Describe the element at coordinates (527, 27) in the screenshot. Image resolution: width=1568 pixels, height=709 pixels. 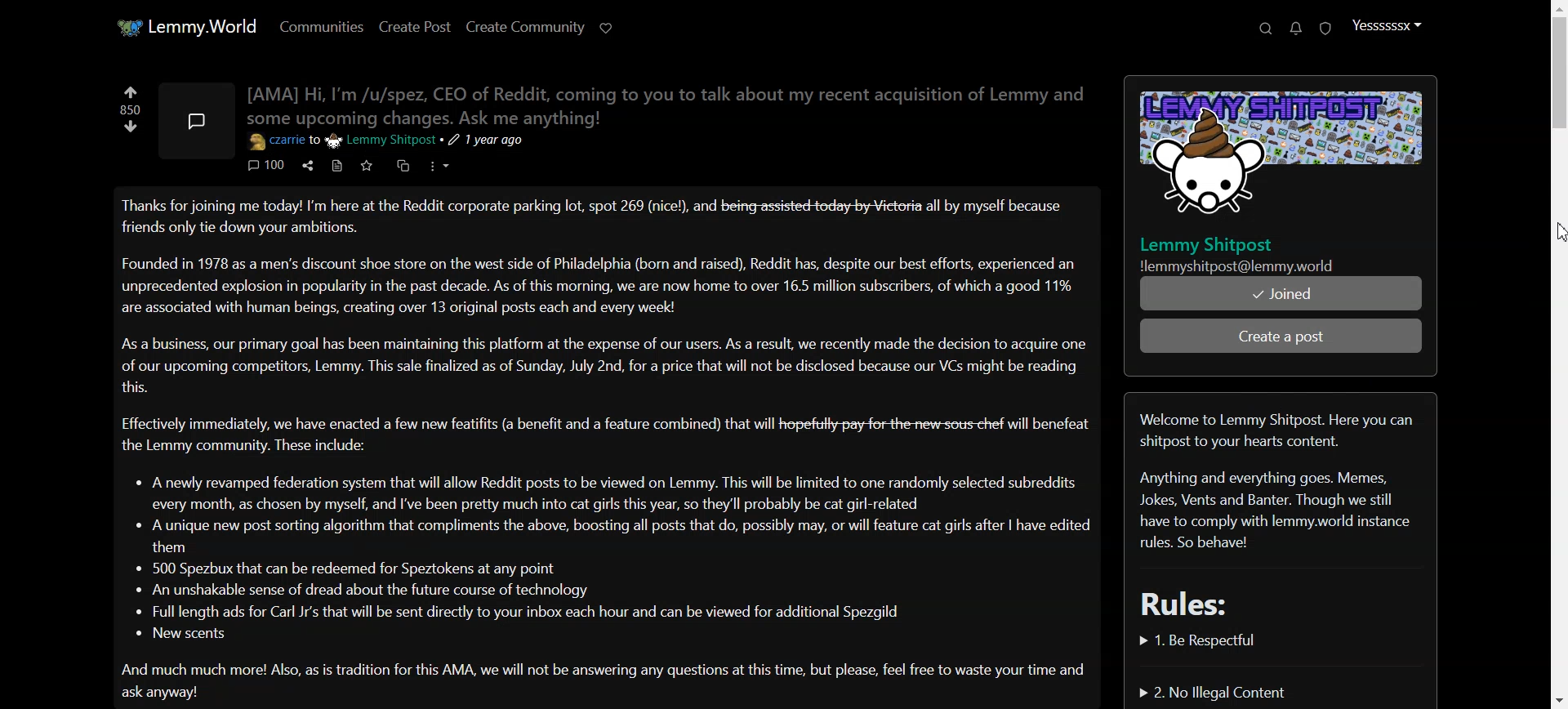
I see `Create community` at that location.